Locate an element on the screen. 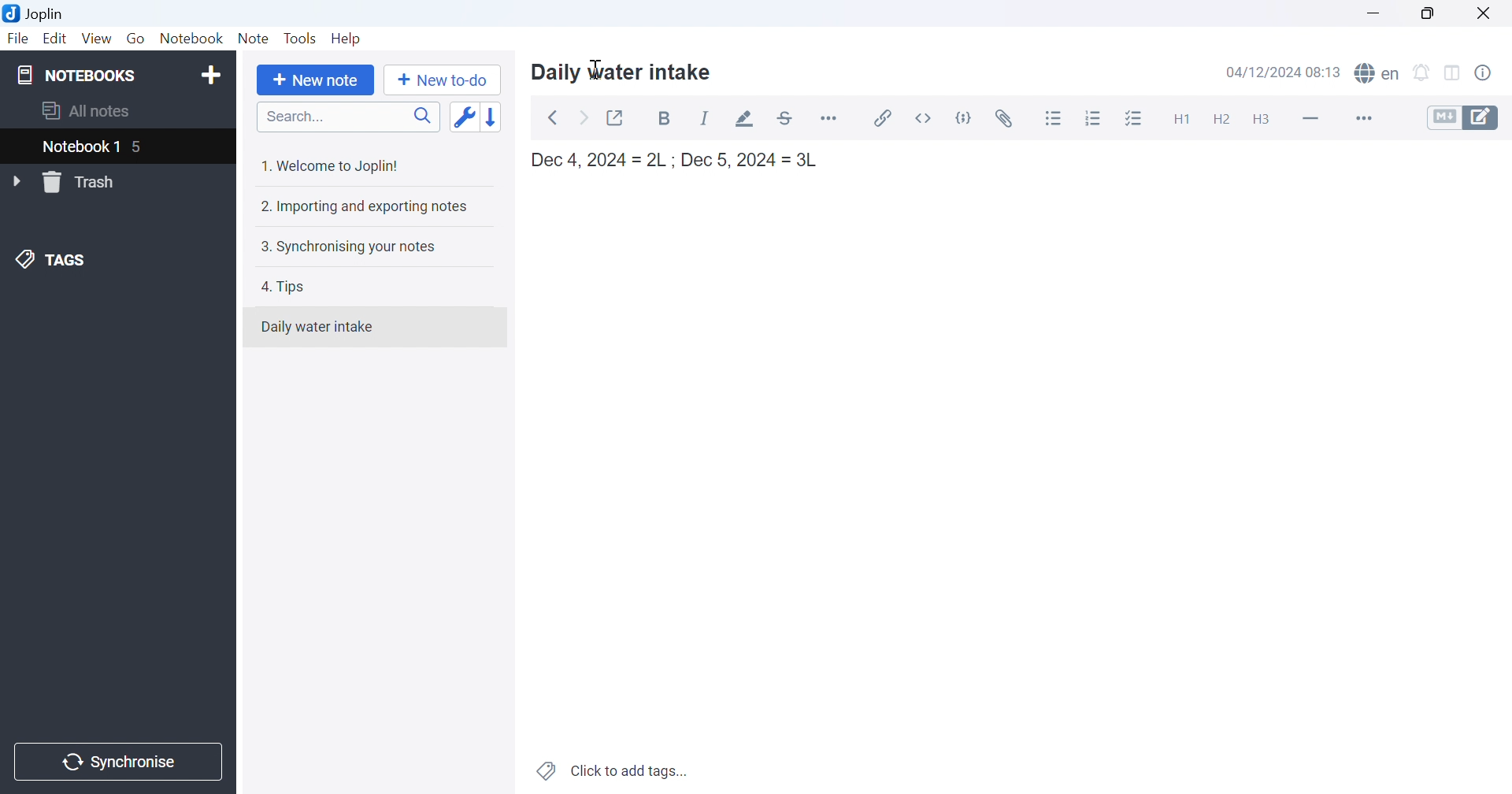  Inline code is located at coordinates (925, 118).